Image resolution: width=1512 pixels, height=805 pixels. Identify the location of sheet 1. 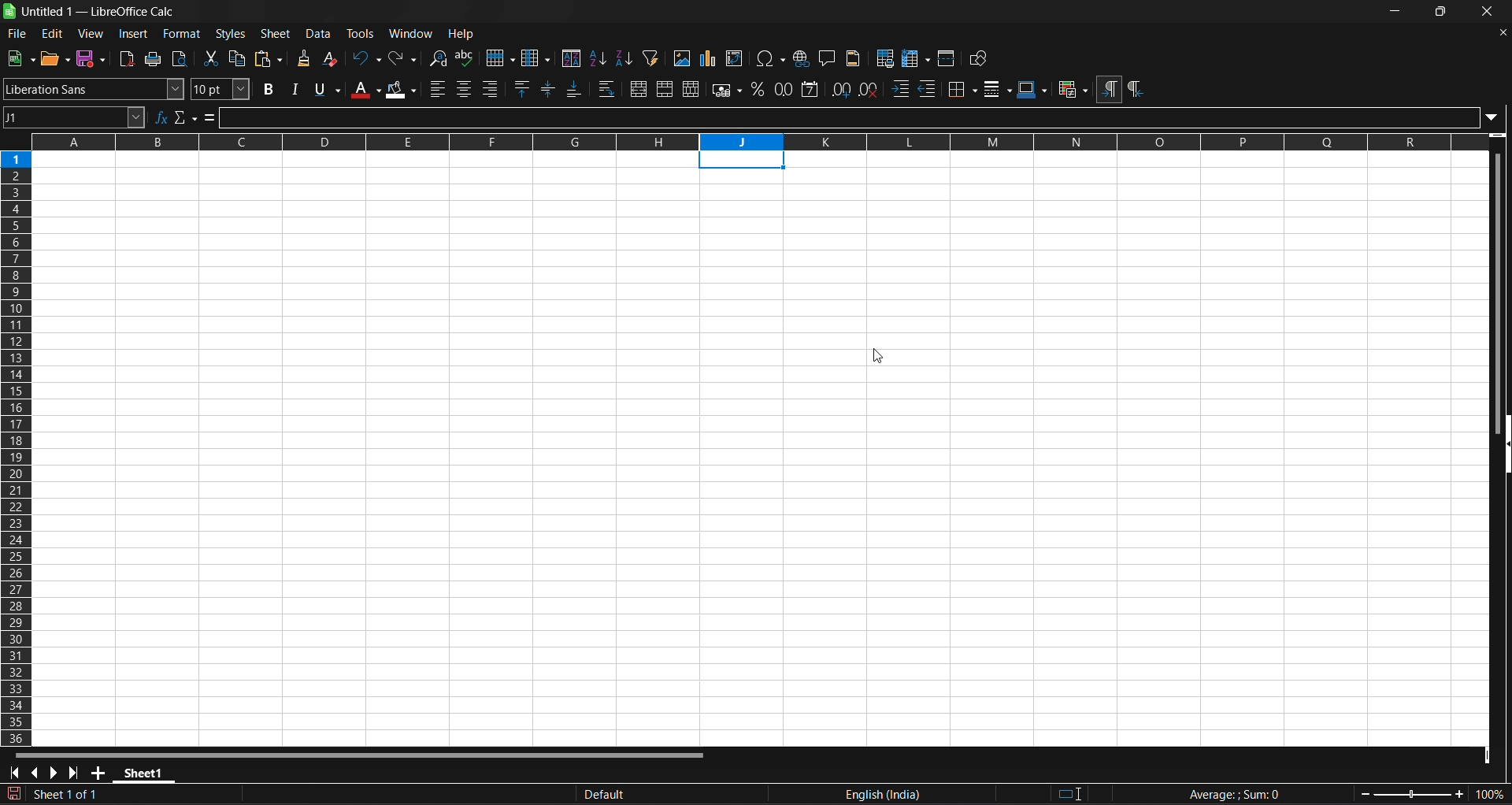
(146, 773).